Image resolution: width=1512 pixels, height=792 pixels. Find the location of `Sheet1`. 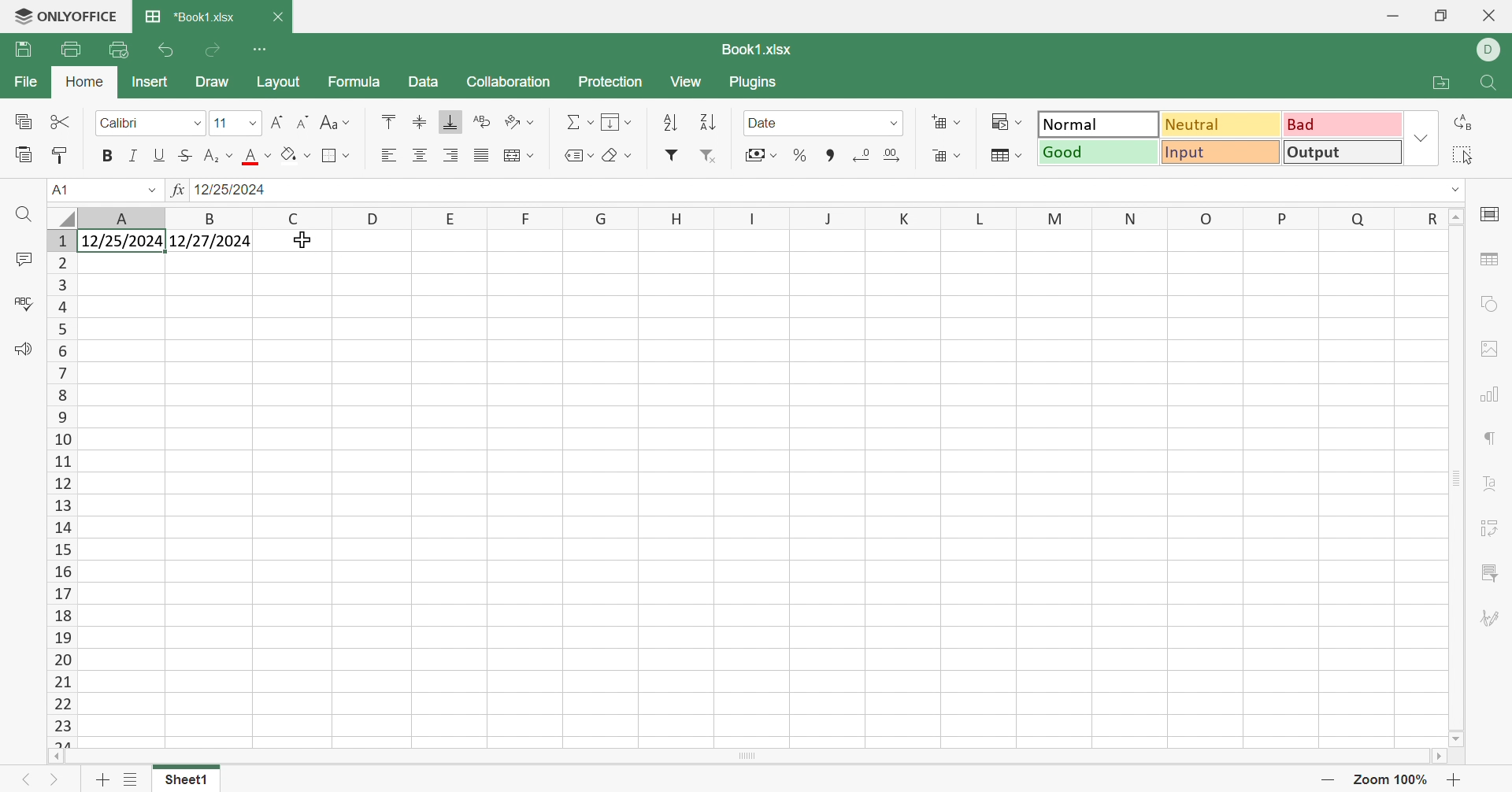

Sheet1 is located at coordinates (181, 781).